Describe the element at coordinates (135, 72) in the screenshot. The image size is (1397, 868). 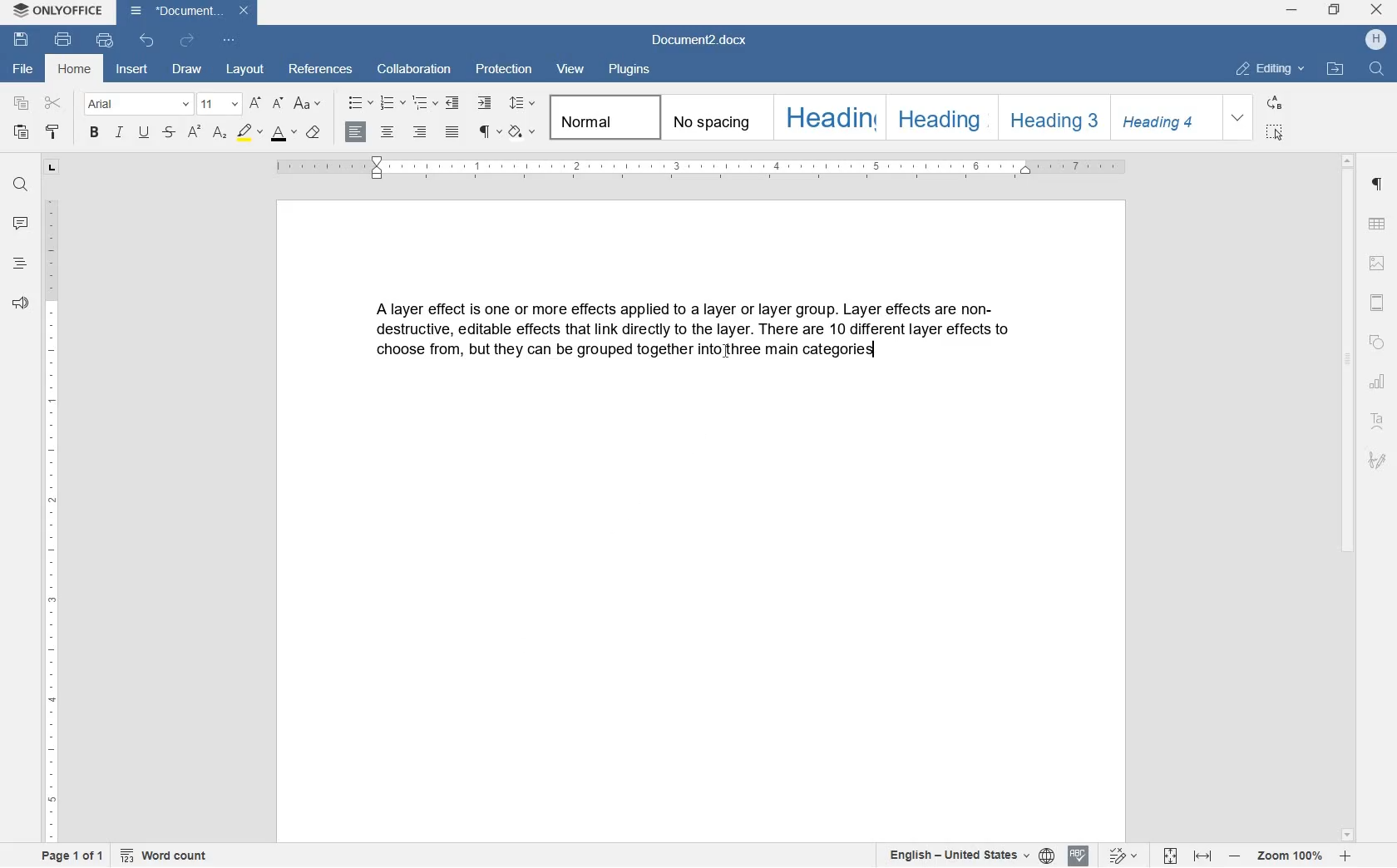
I see `insert` at that location.